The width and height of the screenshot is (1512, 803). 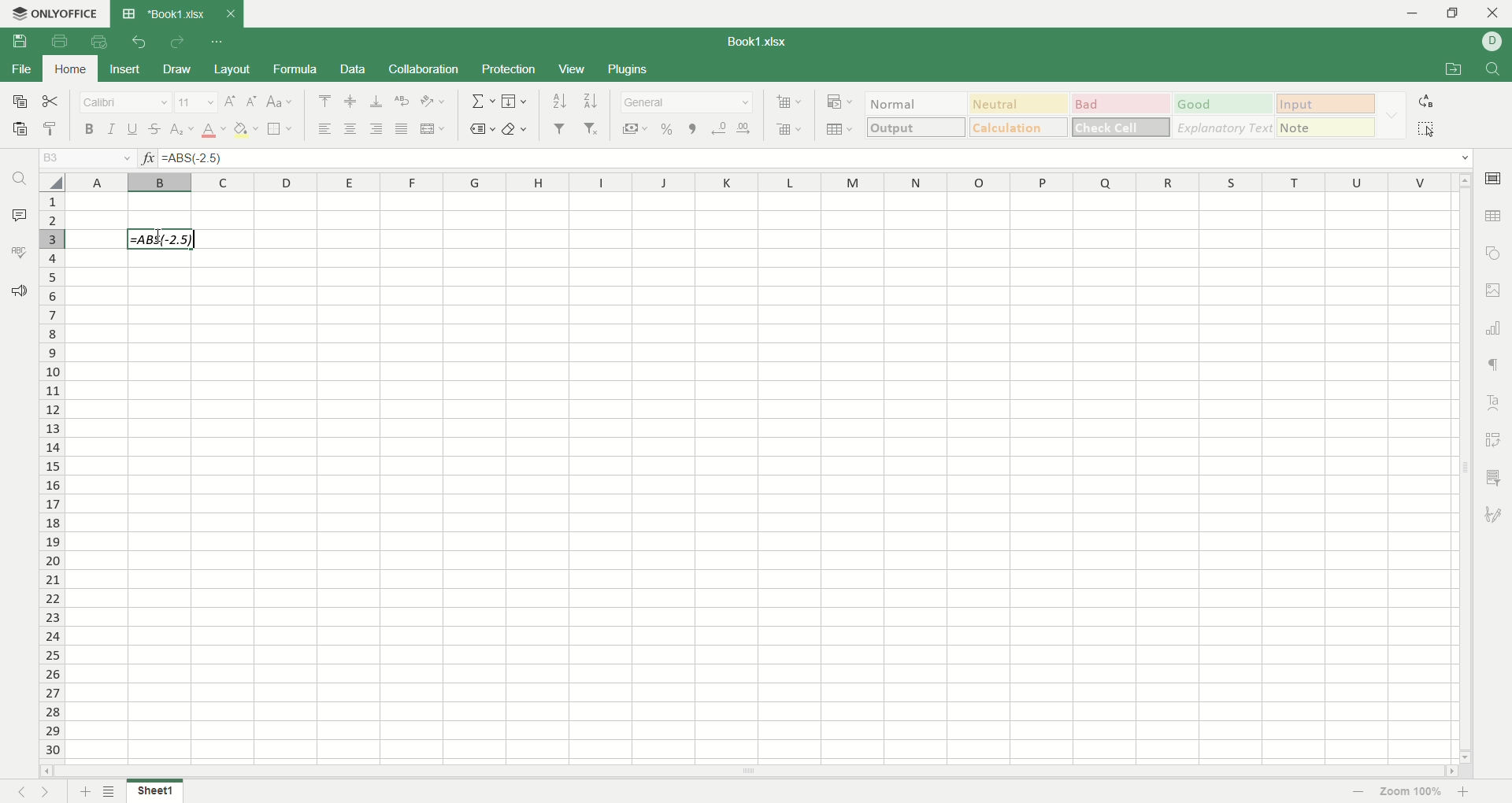 I want to click on protection, so click(x=512, y=68).